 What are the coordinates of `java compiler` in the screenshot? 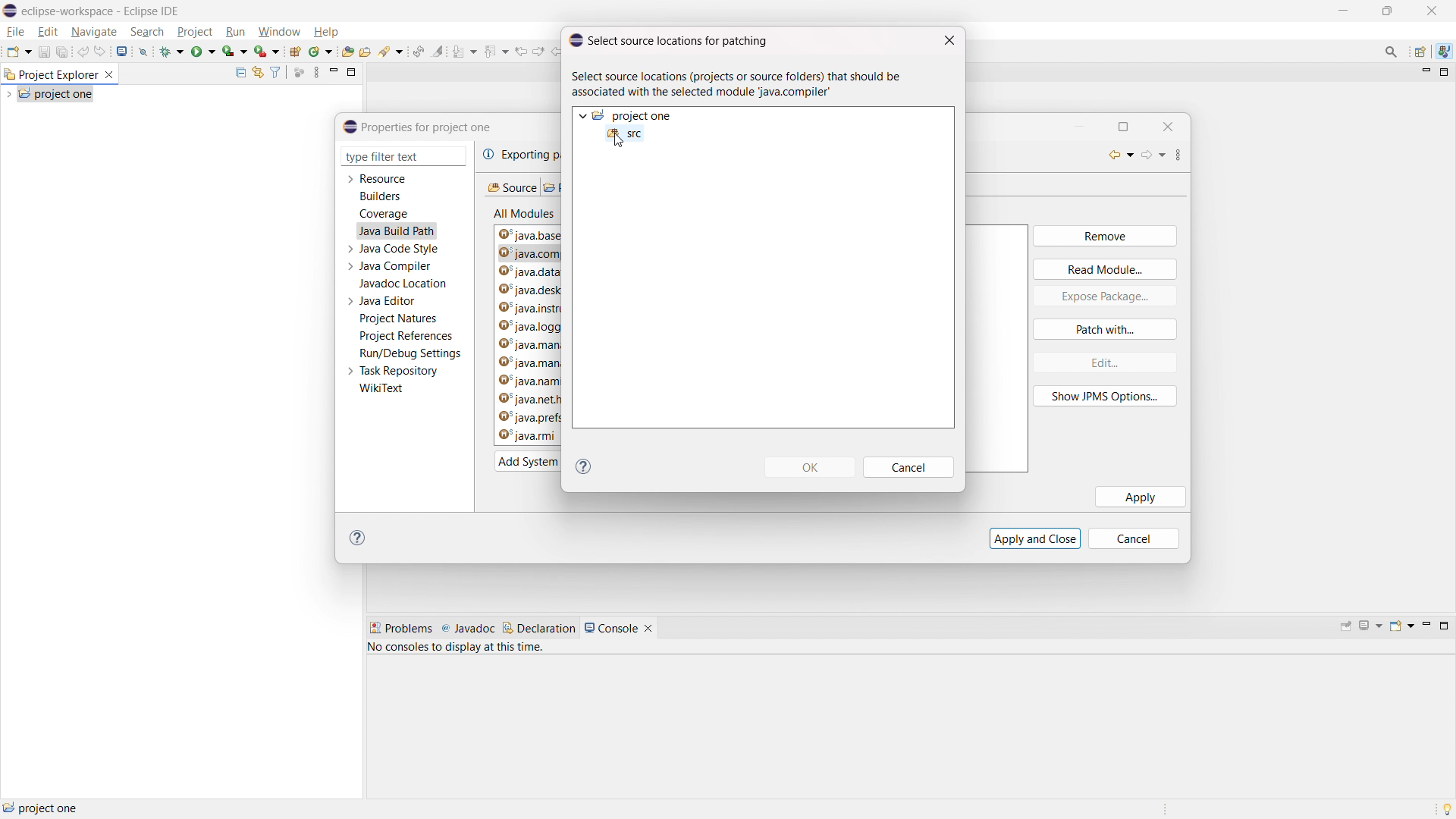 It's located at (397, 266).